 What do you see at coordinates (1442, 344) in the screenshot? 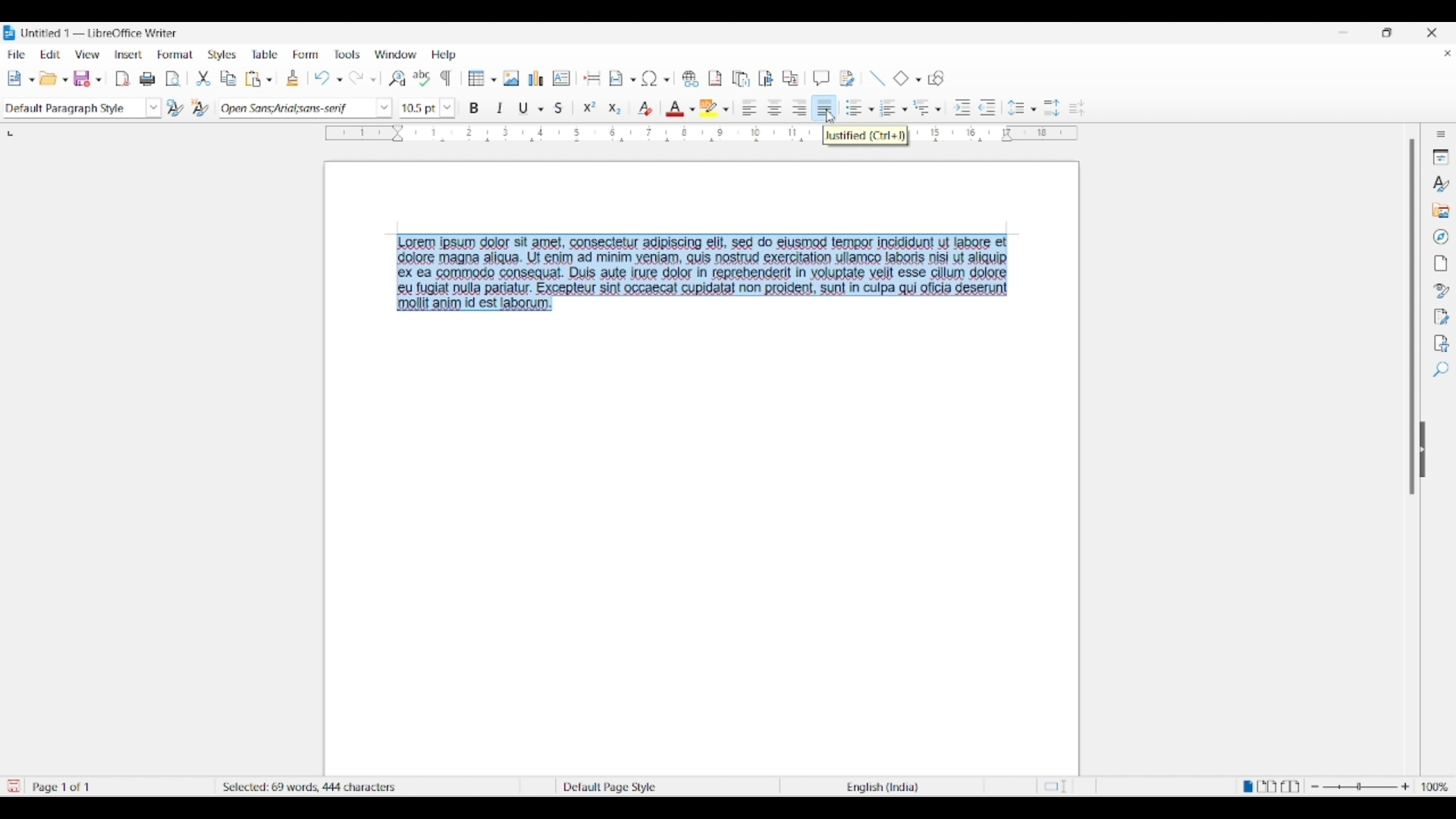
I see `Accessibility check` at bounding box center [1442, 344].